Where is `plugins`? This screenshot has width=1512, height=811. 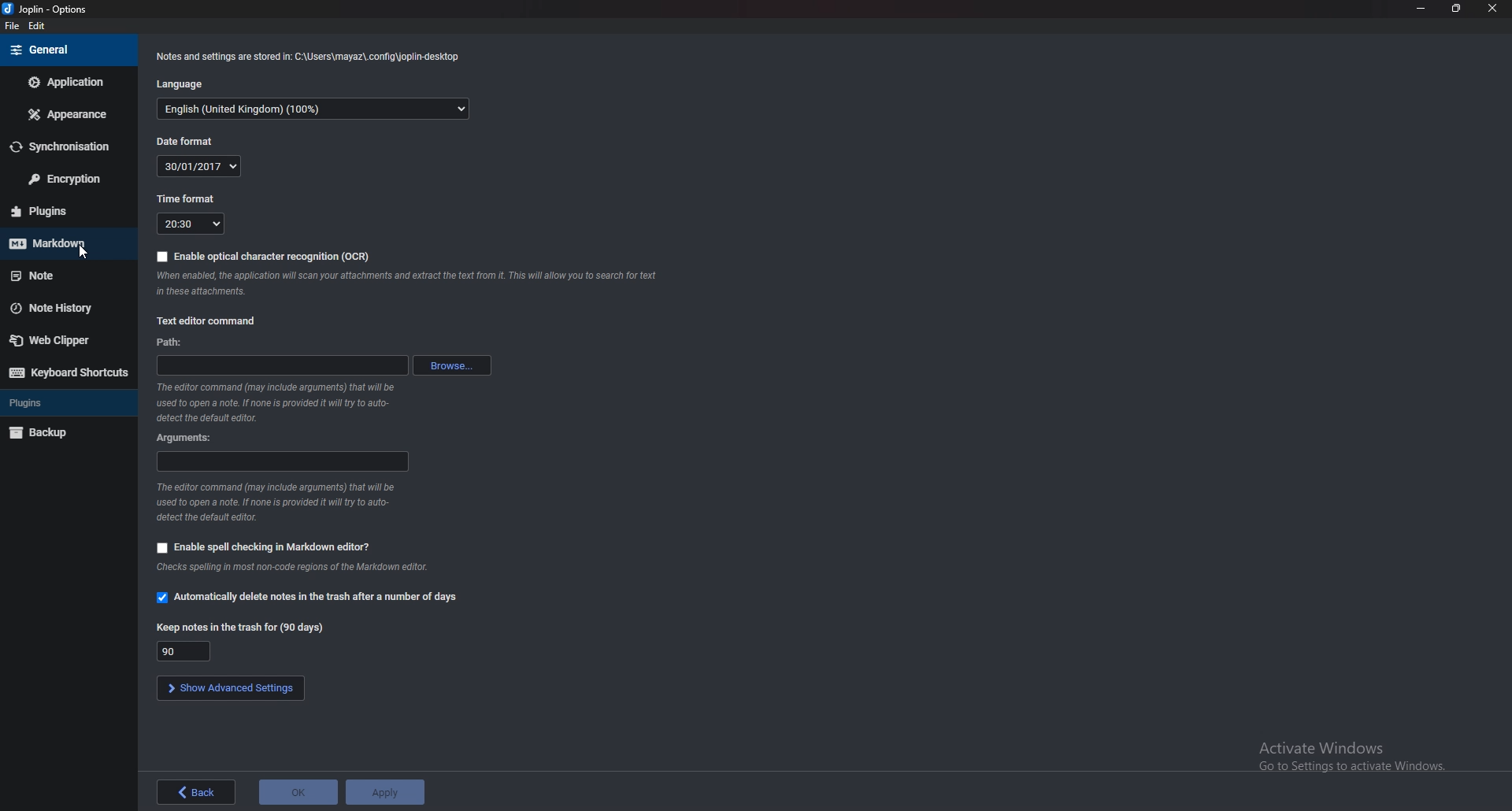 plugins is located at coordinates (66, 402).